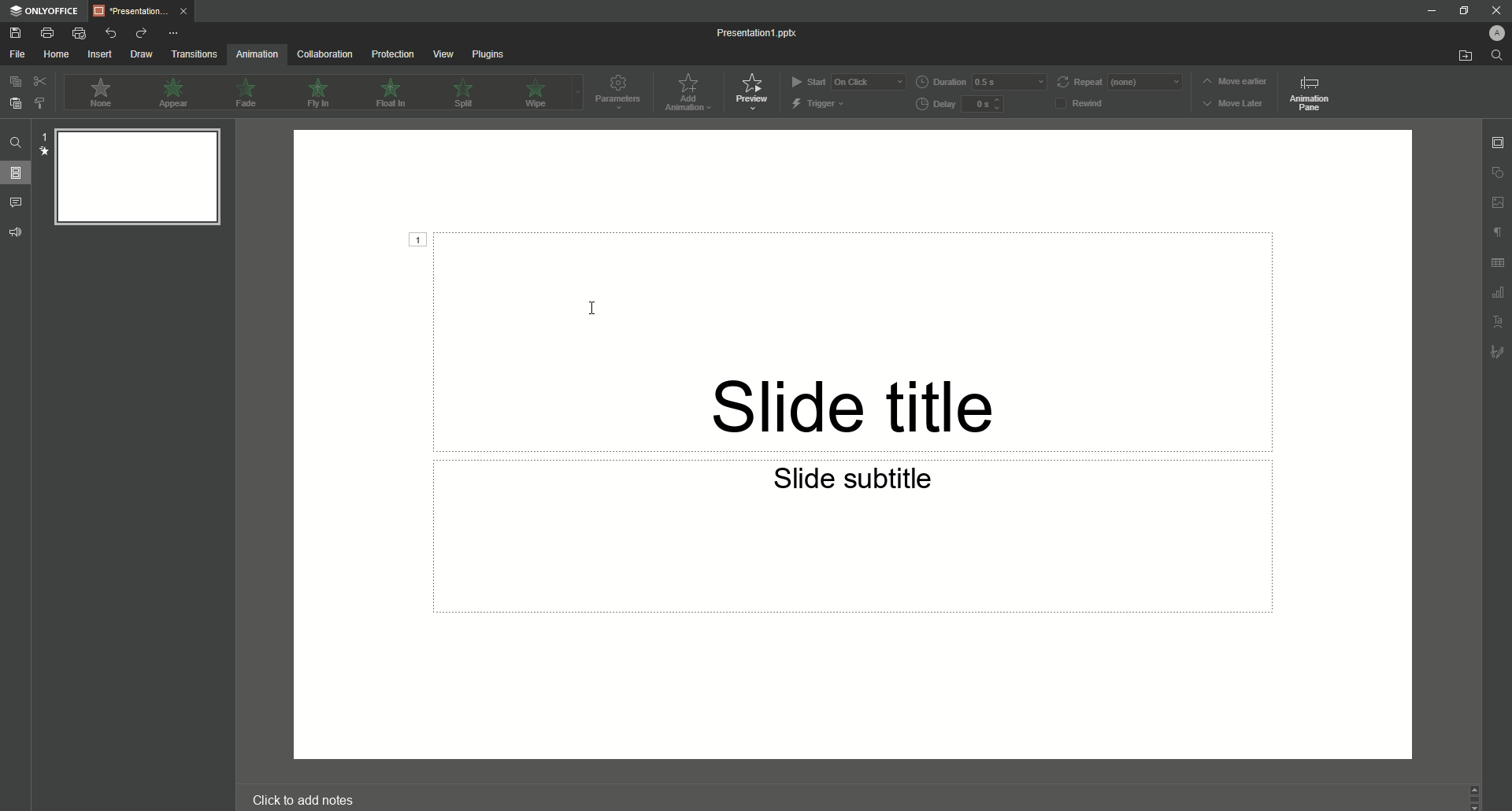  What do you see at coordinates (1434, 11) in the screenshot?
I see `Minimize` at bounding box center [1434, 11].